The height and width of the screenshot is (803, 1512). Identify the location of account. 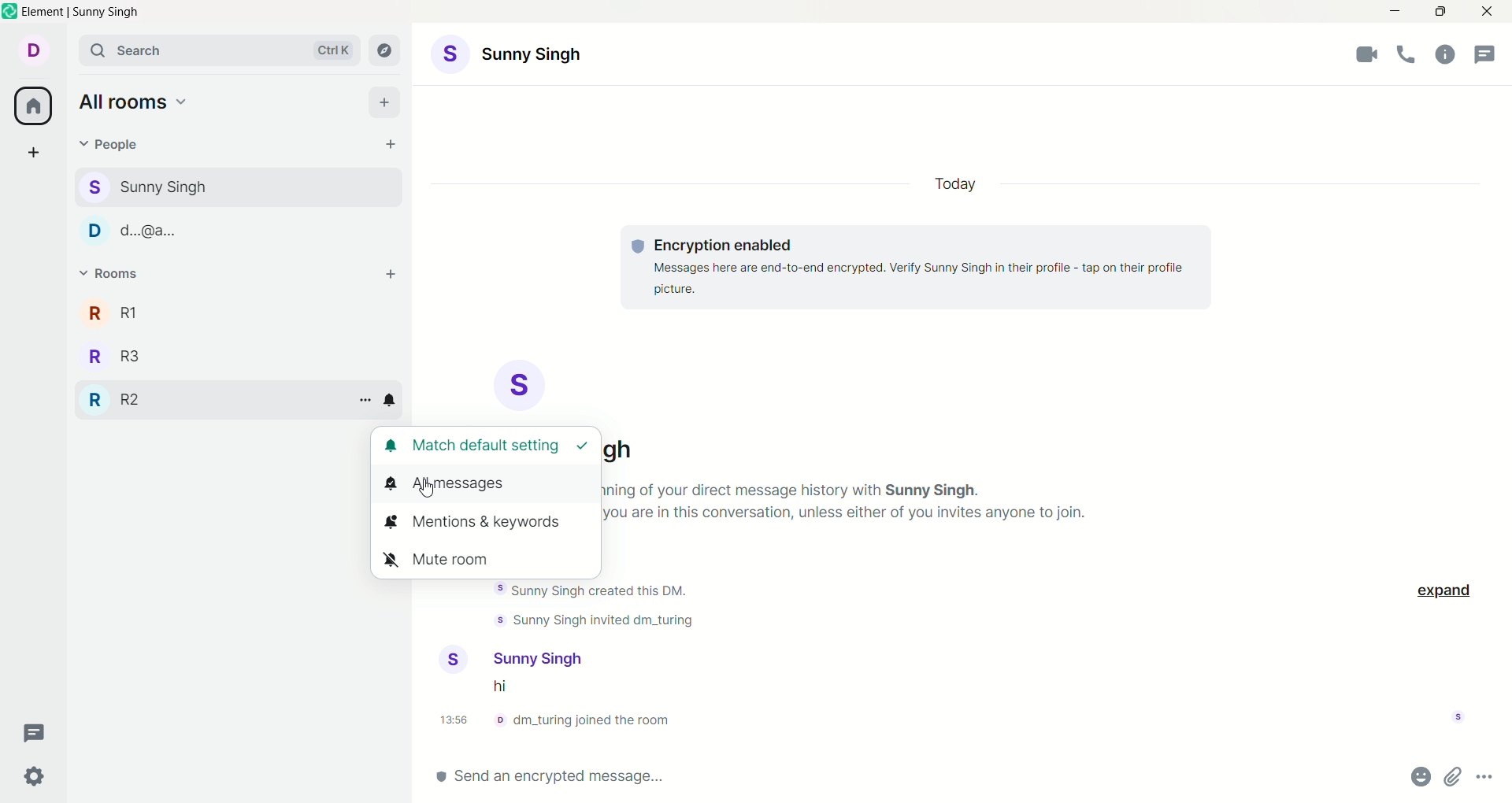
(37, 50).